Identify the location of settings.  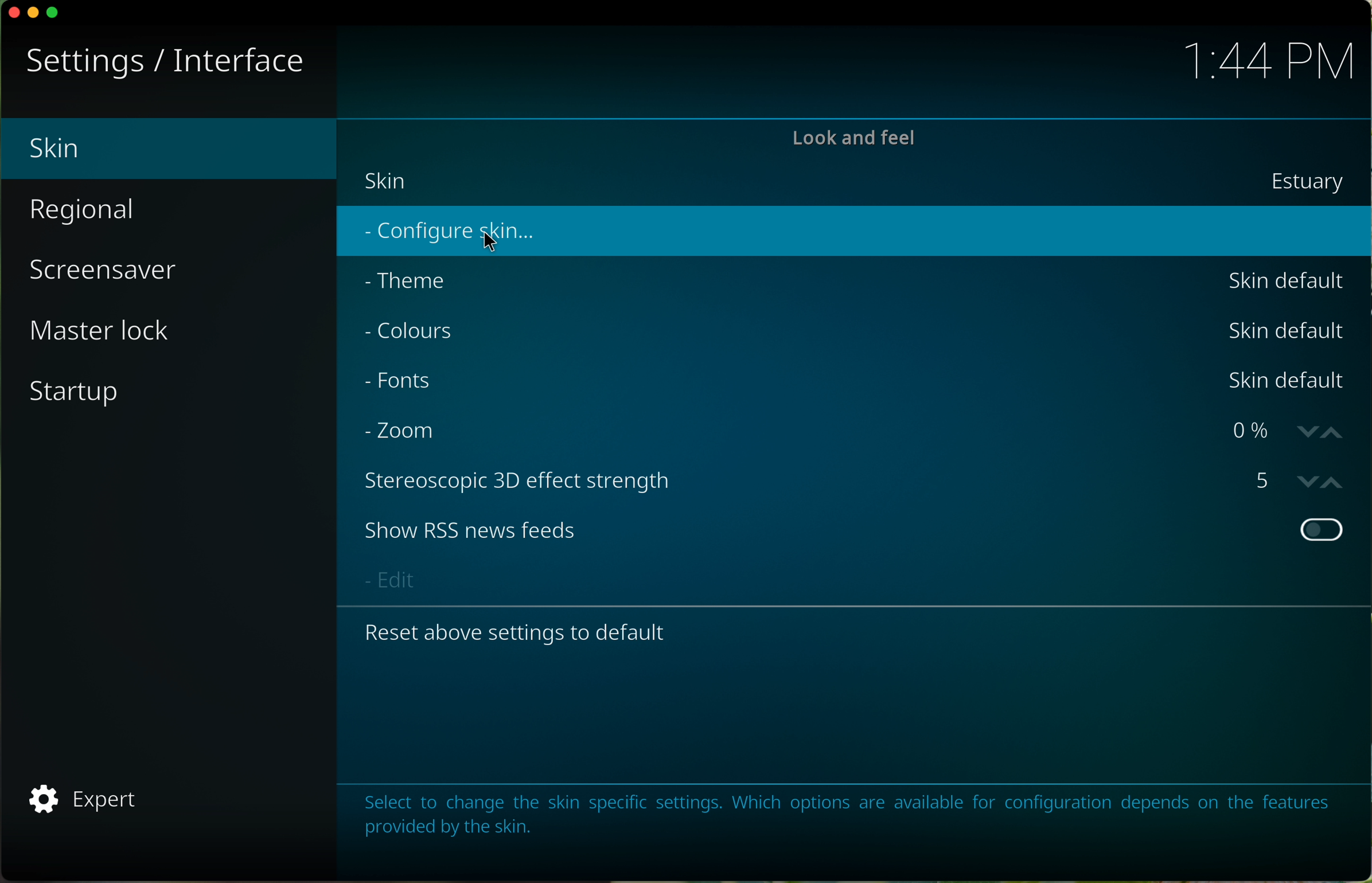
(80, 62).